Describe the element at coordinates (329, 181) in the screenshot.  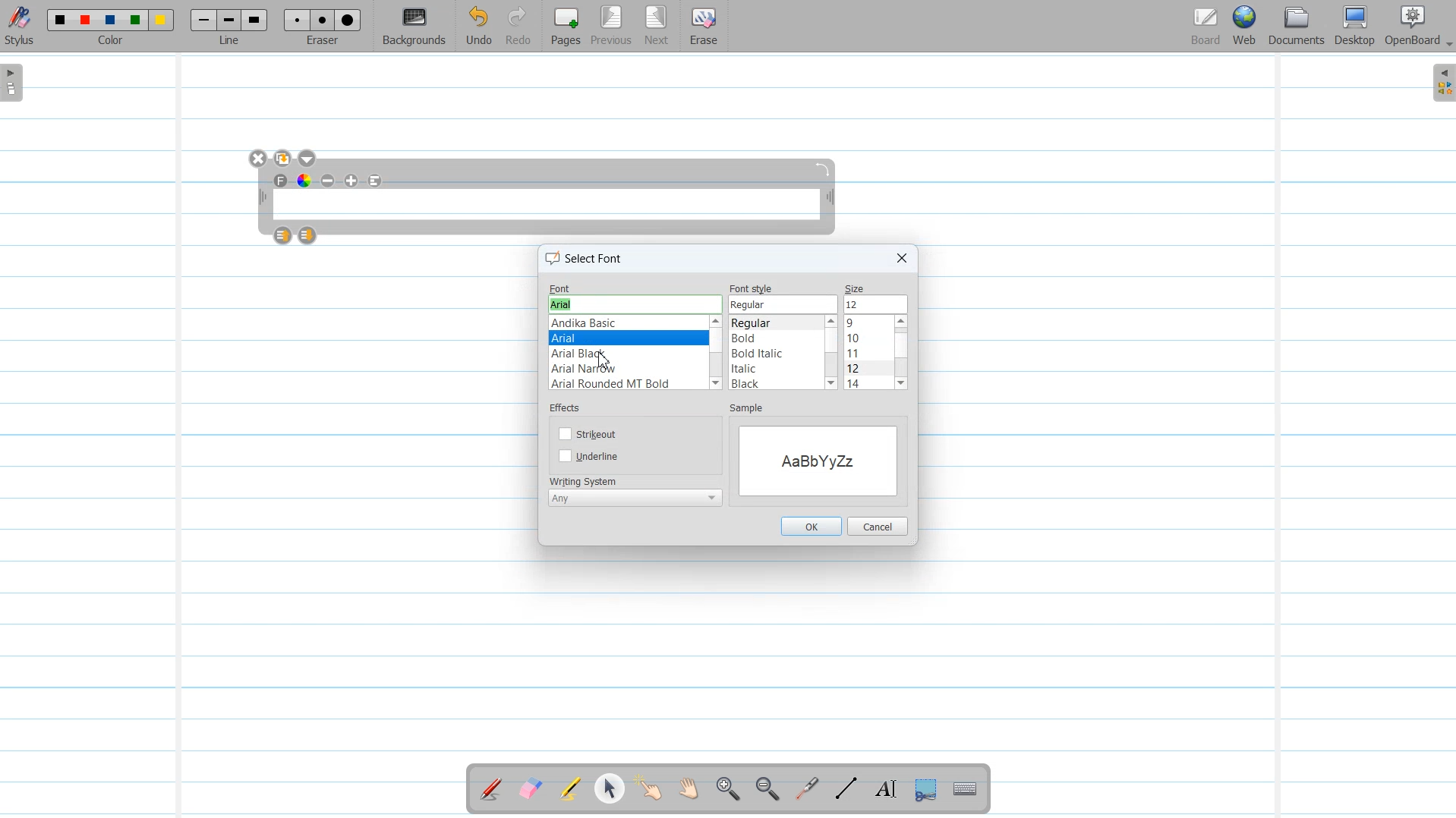
I see `Minimize text size` at that location.